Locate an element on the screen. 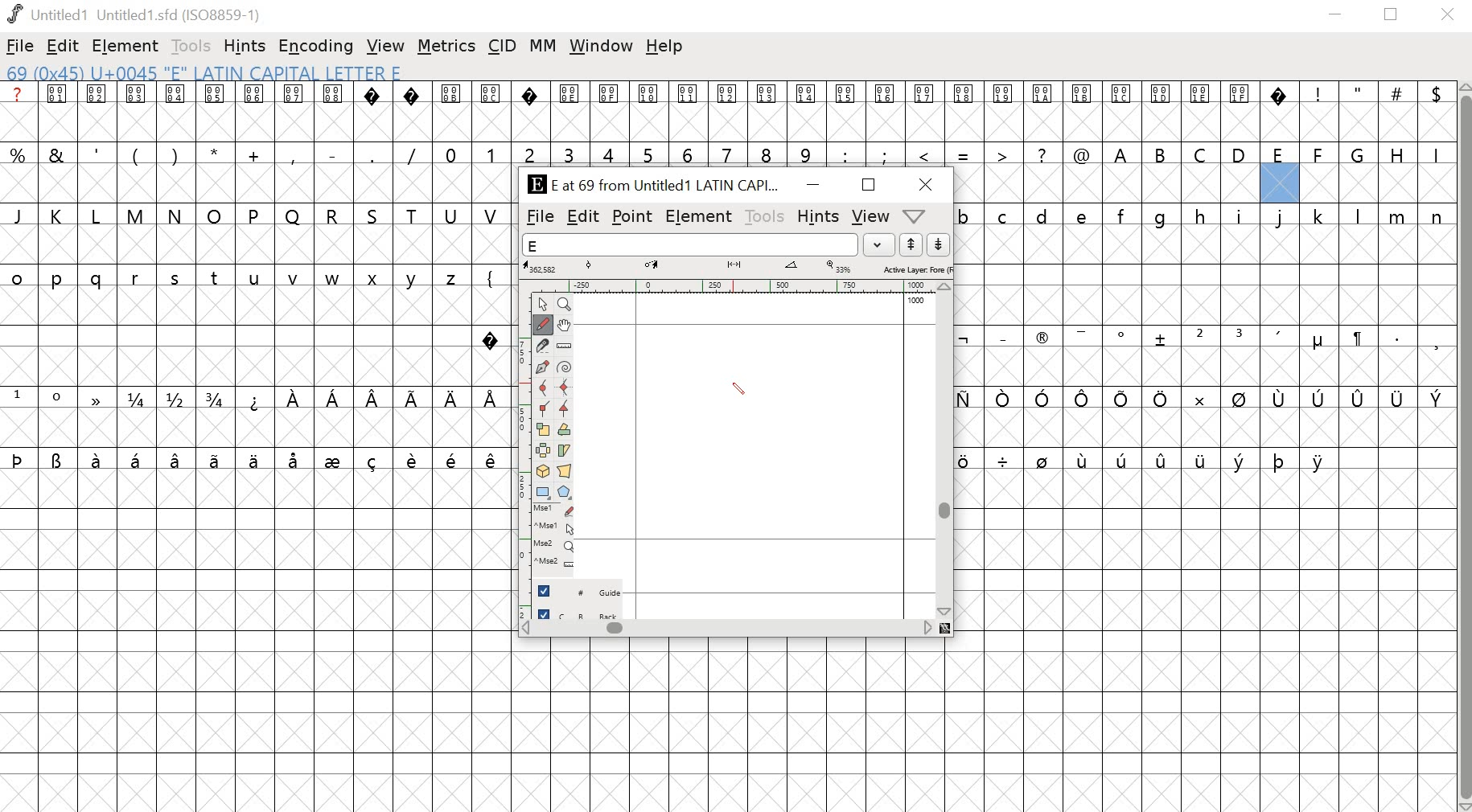 Image resolution: width=1472 pixels, height=812 pixels. dropdown is located at coordinates (880, 244).